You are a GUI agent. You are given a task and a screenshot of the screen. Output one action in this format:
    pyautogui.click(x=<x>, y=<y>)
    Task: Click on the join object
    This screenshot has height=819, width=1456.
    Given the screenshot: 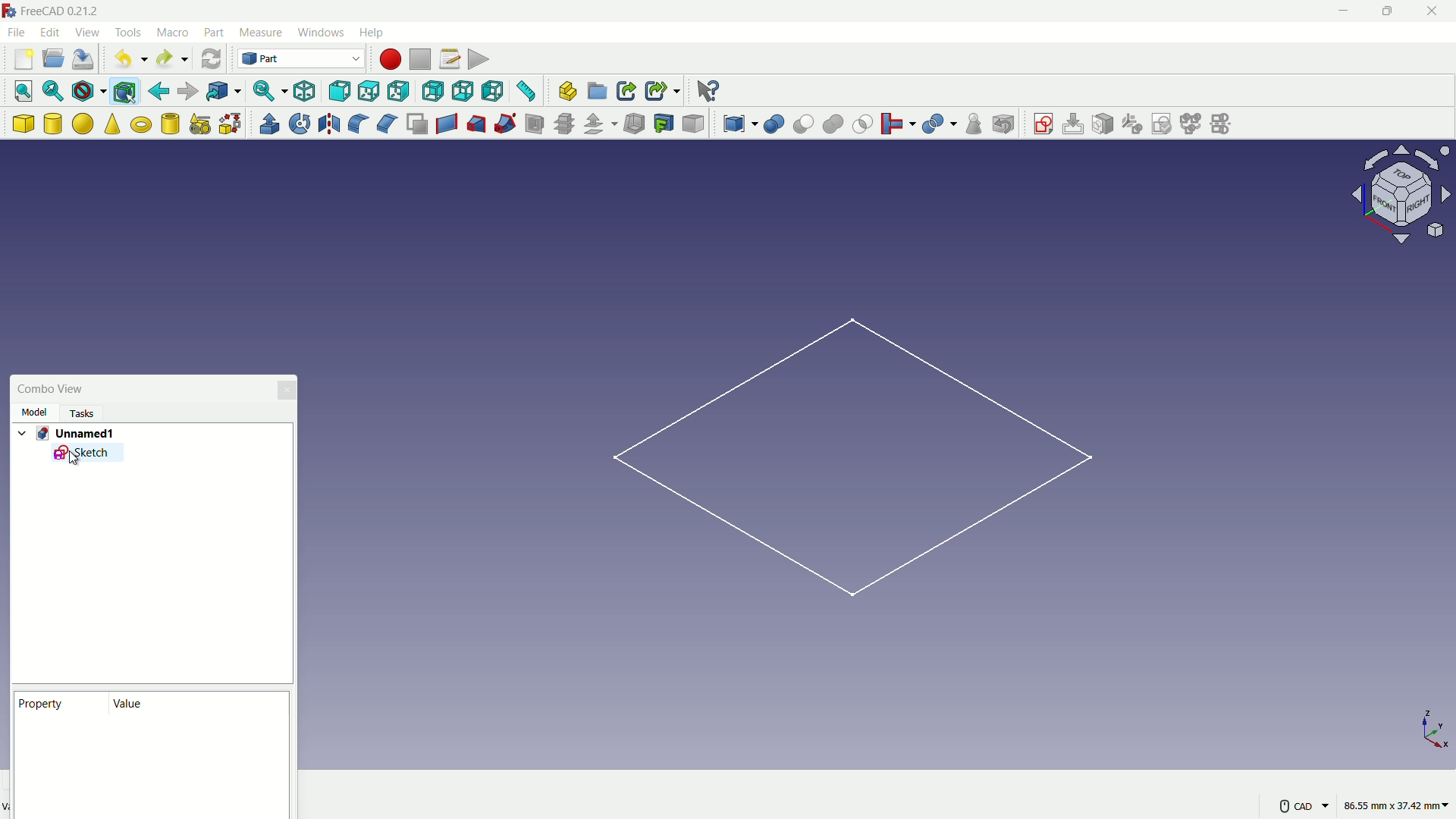 What is the action you would take?
    pyautogui.click(x=897, y=123)
    